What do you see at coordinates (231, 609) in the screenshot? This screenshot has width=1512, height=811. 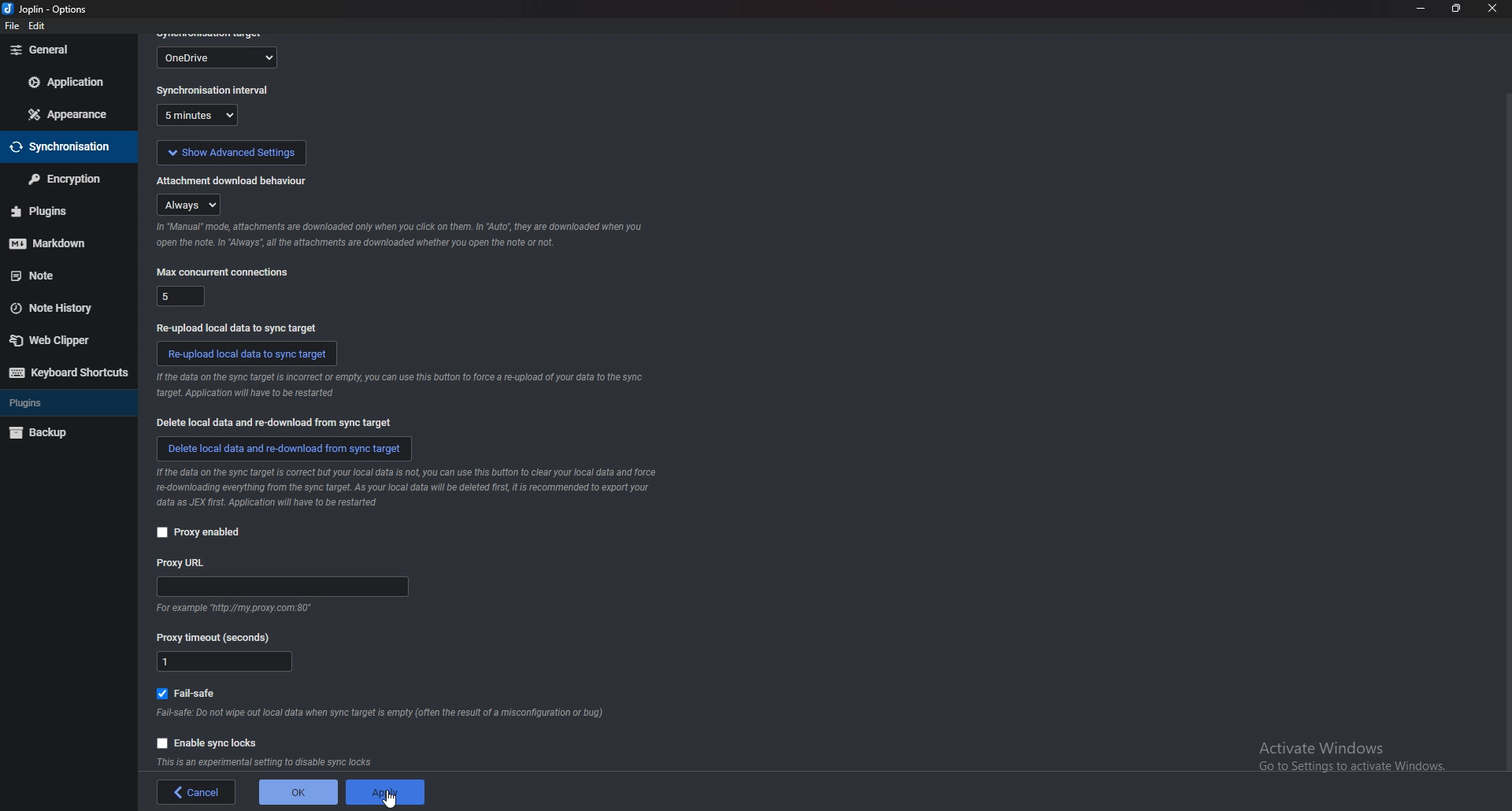 I see `info` at bounding box center [231, 609].